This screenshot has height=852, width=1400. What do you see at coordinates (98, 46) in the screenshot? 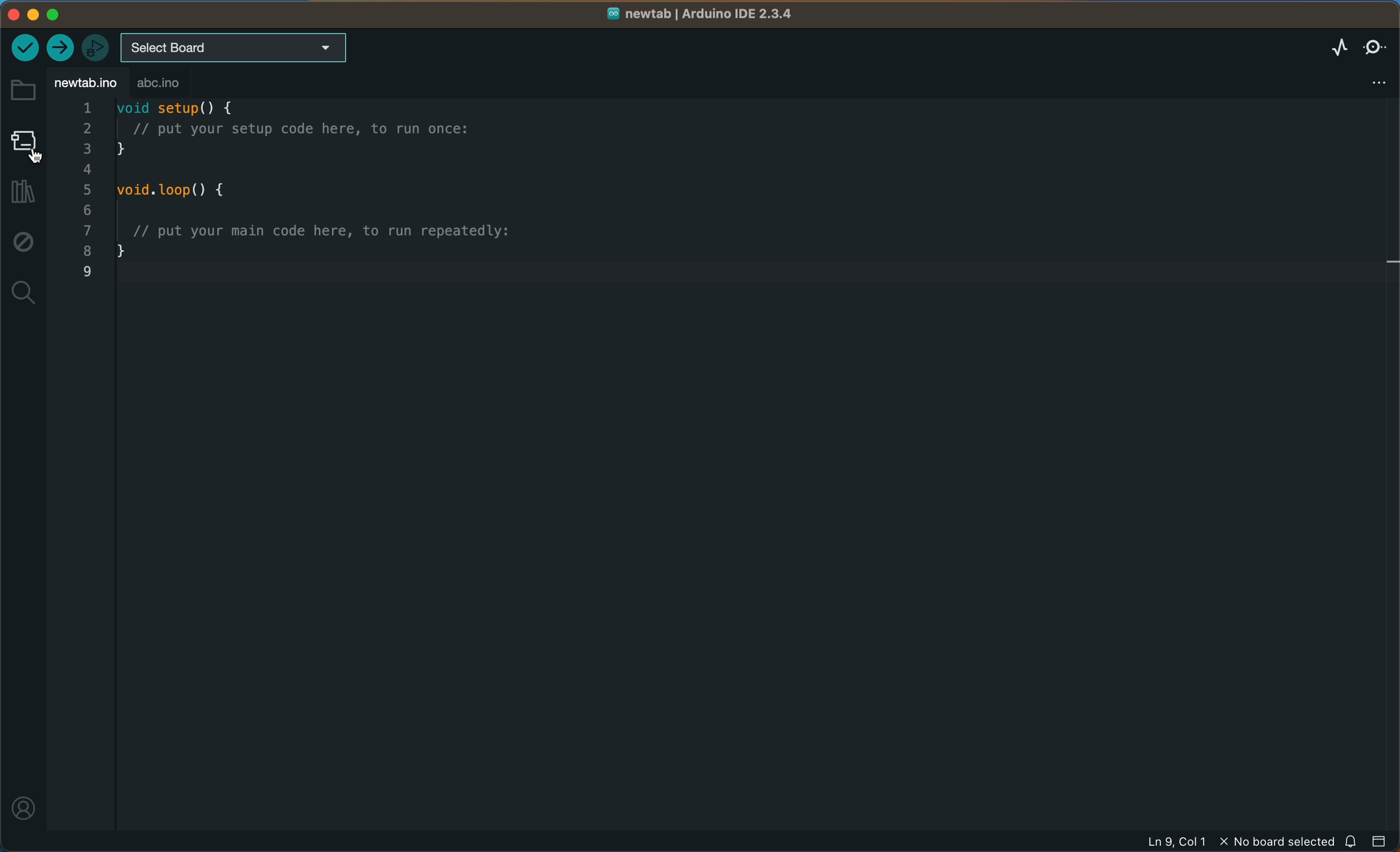
I see `debugger` at bounding box center [98, 46].